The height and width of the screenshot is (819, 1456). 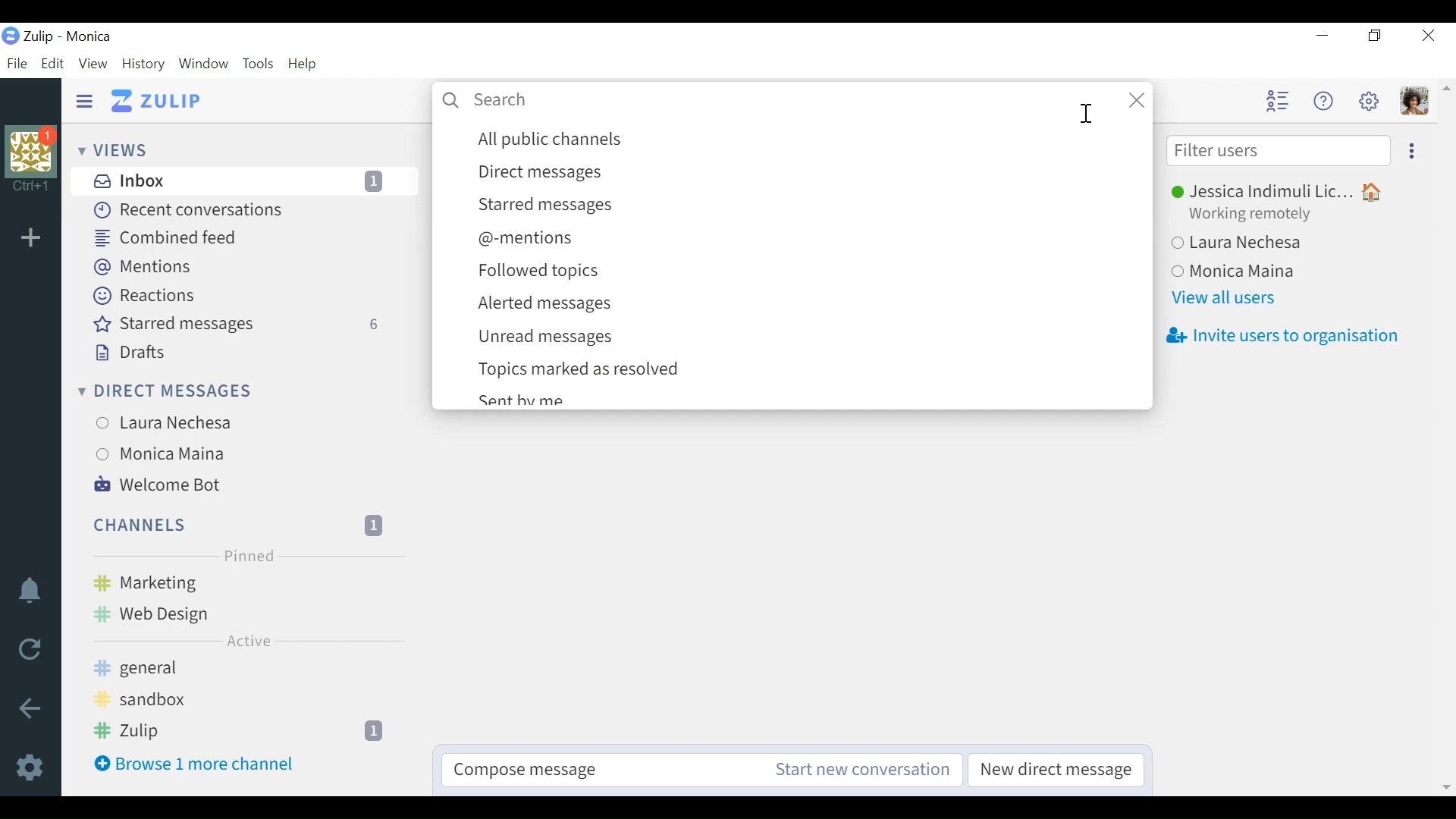 I want to click on organisation photo, so click(x=31, y=149).